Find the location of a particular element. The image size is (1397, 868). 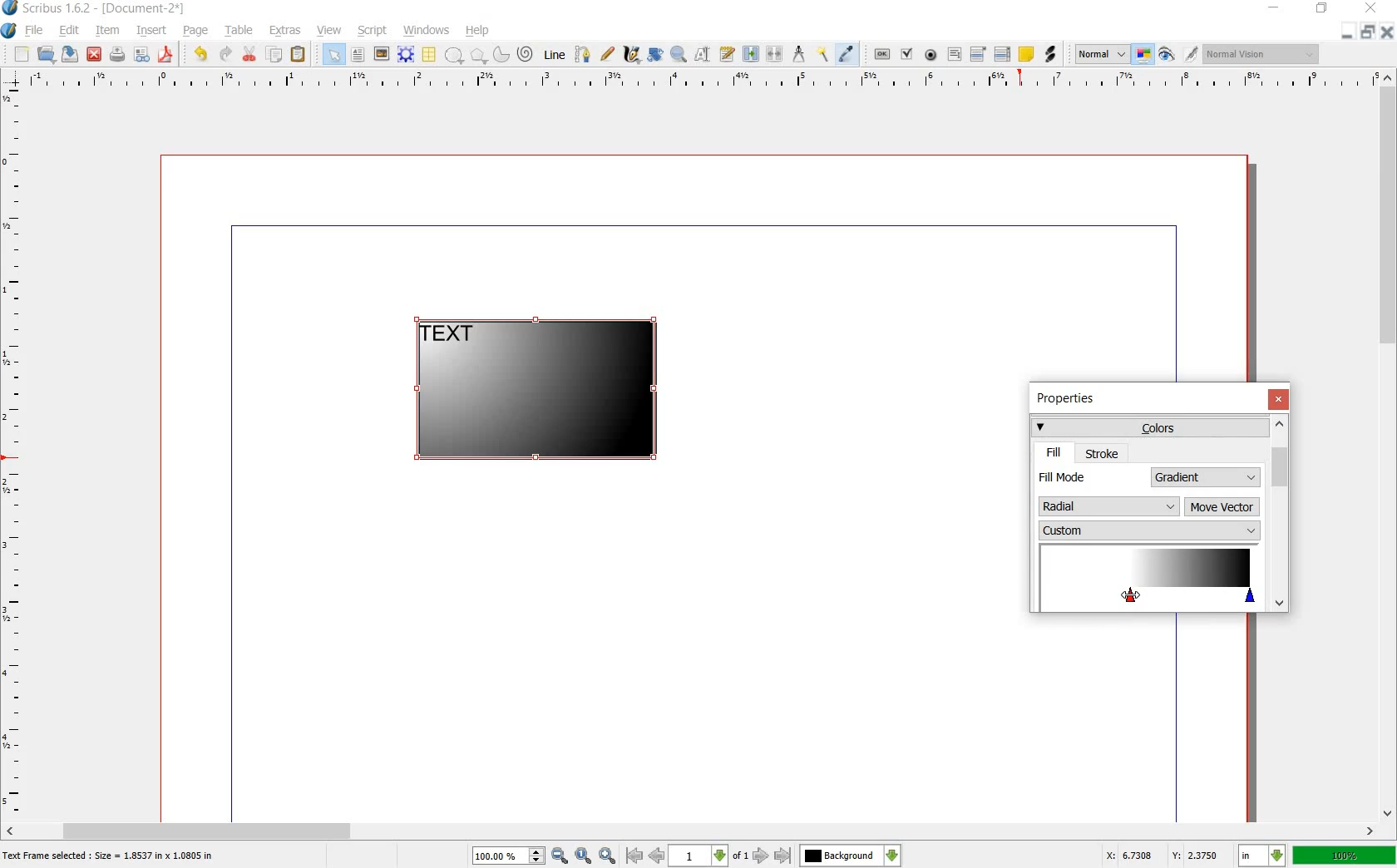

undo is located at coordinates (203, 55).